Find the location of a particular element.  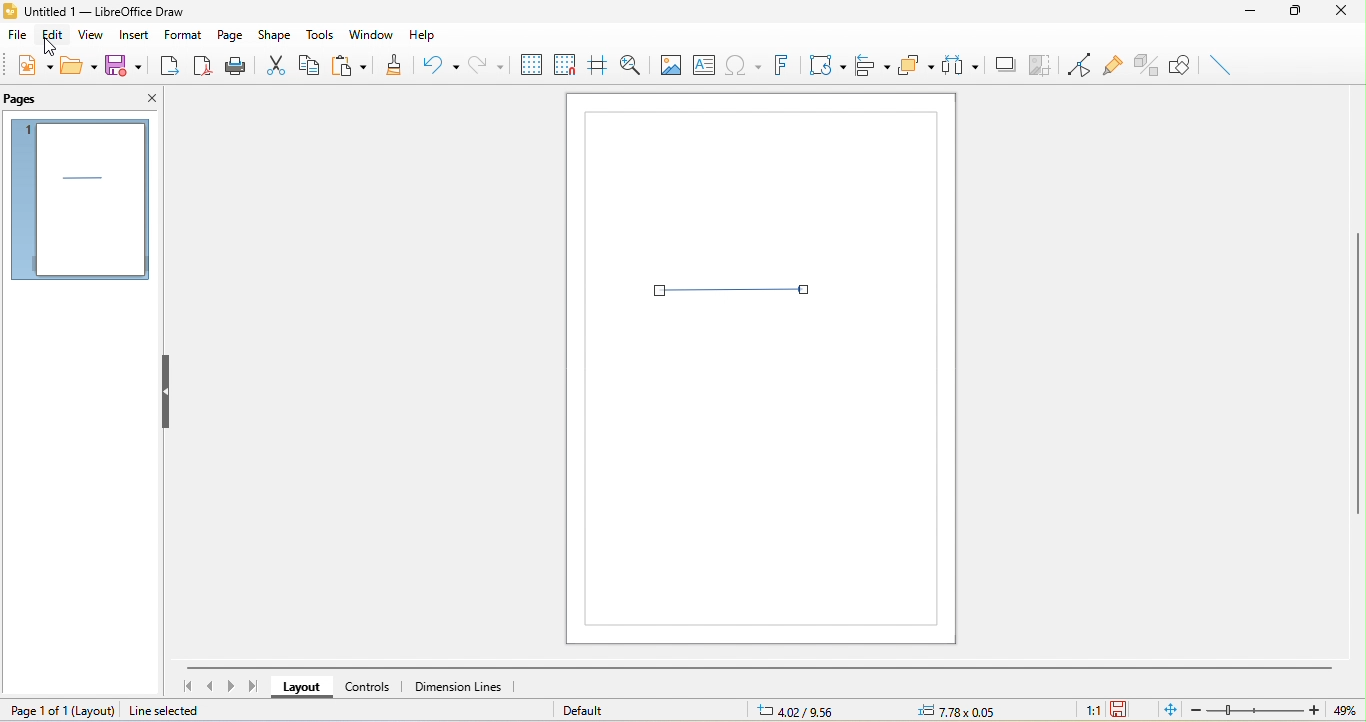

snap to grid is located at coordinates (564, 62).